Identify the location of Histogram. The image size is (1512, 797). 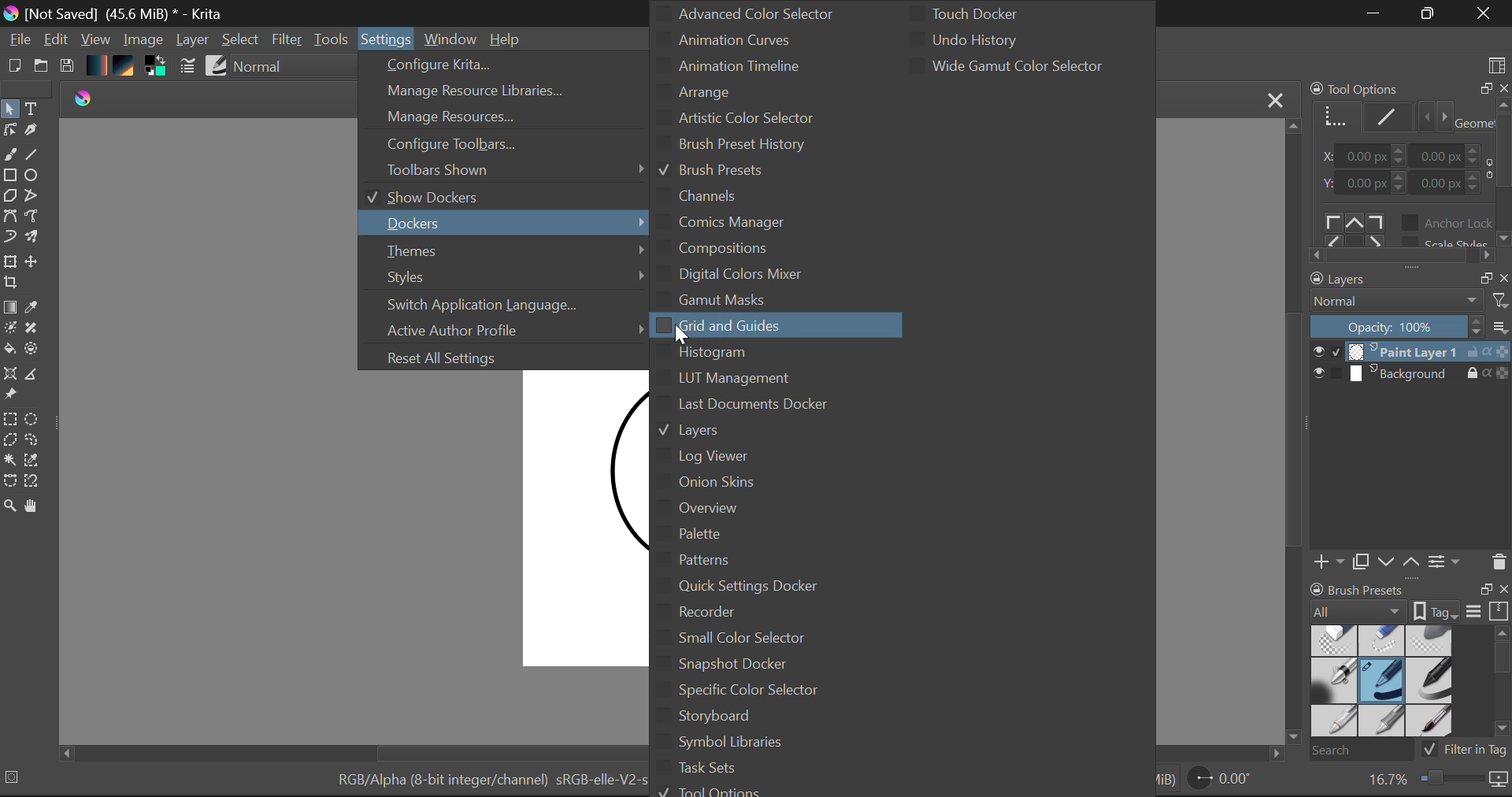
(745, 353).